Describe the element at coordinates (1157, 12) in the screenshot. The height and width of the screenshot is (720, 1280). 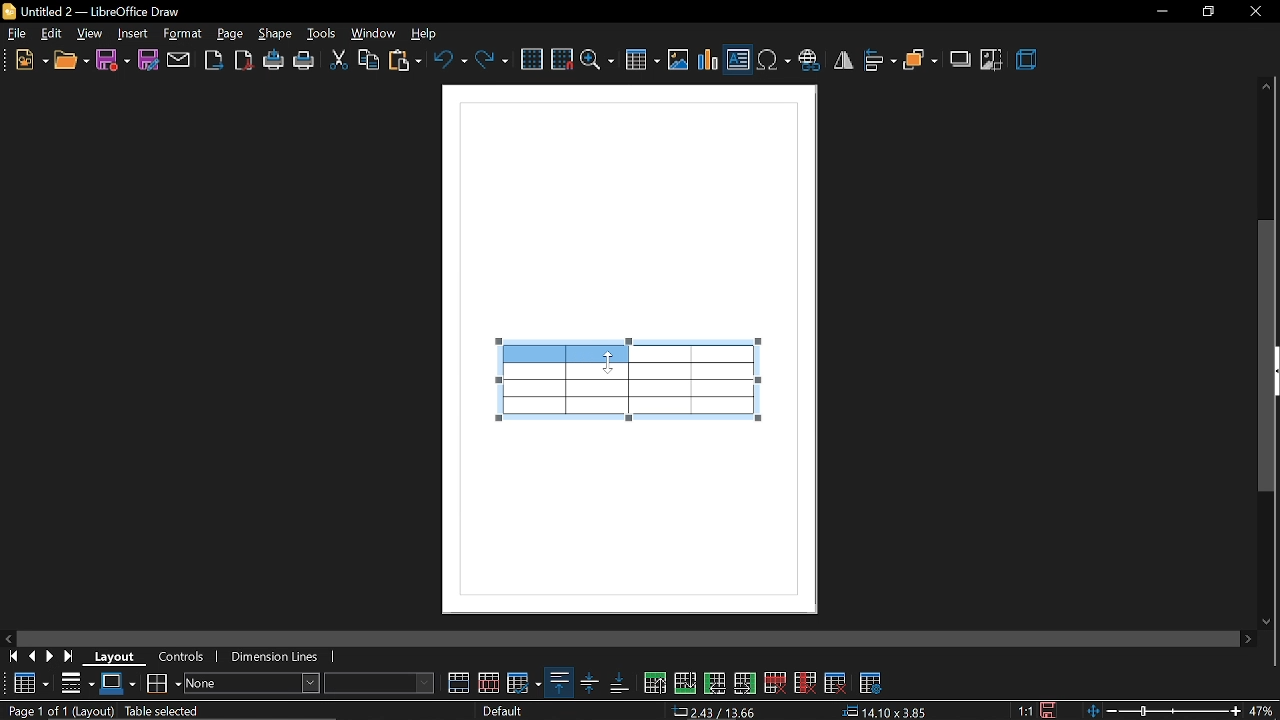
I see `Minimize` at that location.